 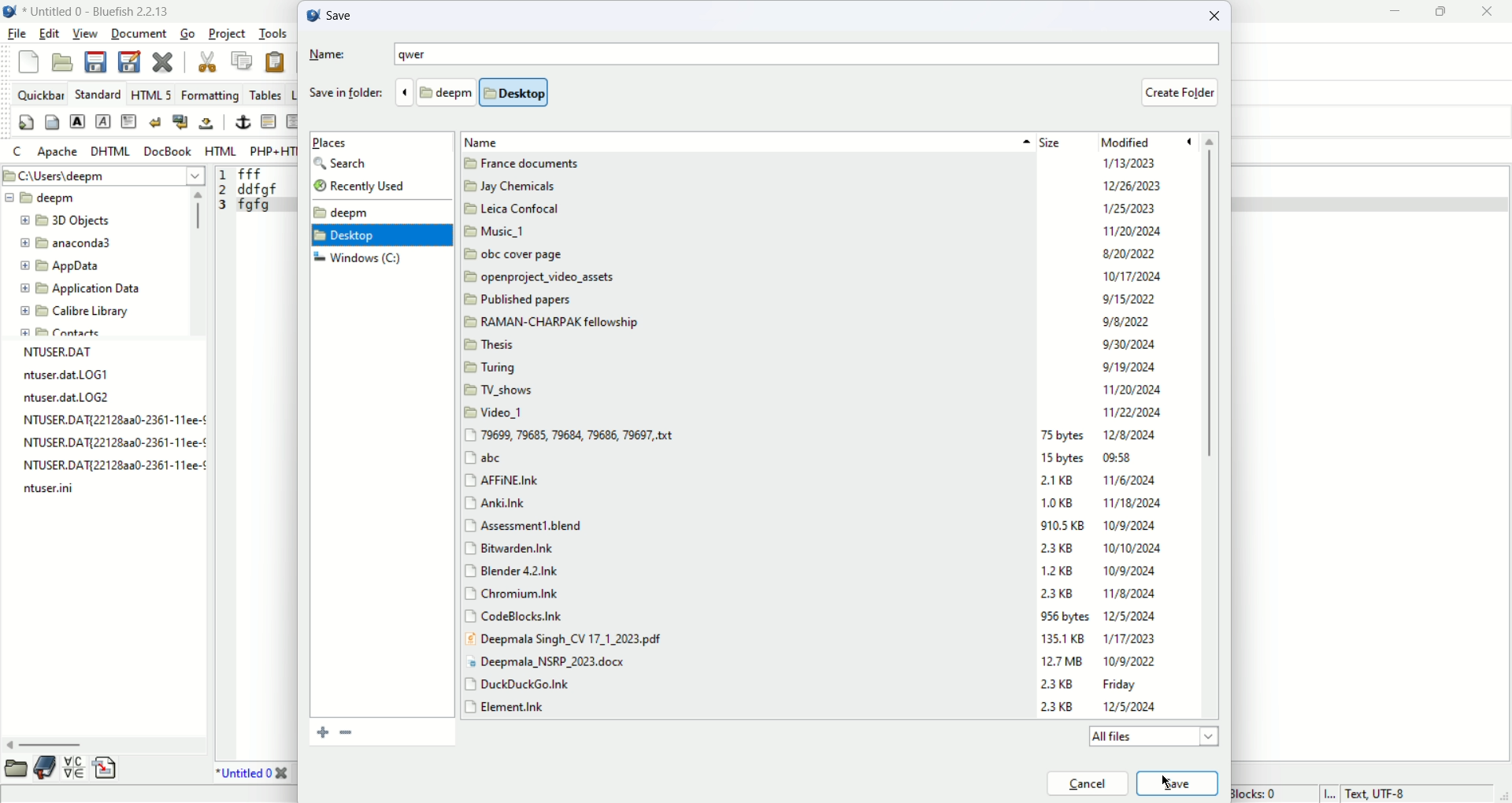 What do you see at coordinates (1133, 424) in the screenshot?
I see `date modified` at bounding box center [1133, 424].